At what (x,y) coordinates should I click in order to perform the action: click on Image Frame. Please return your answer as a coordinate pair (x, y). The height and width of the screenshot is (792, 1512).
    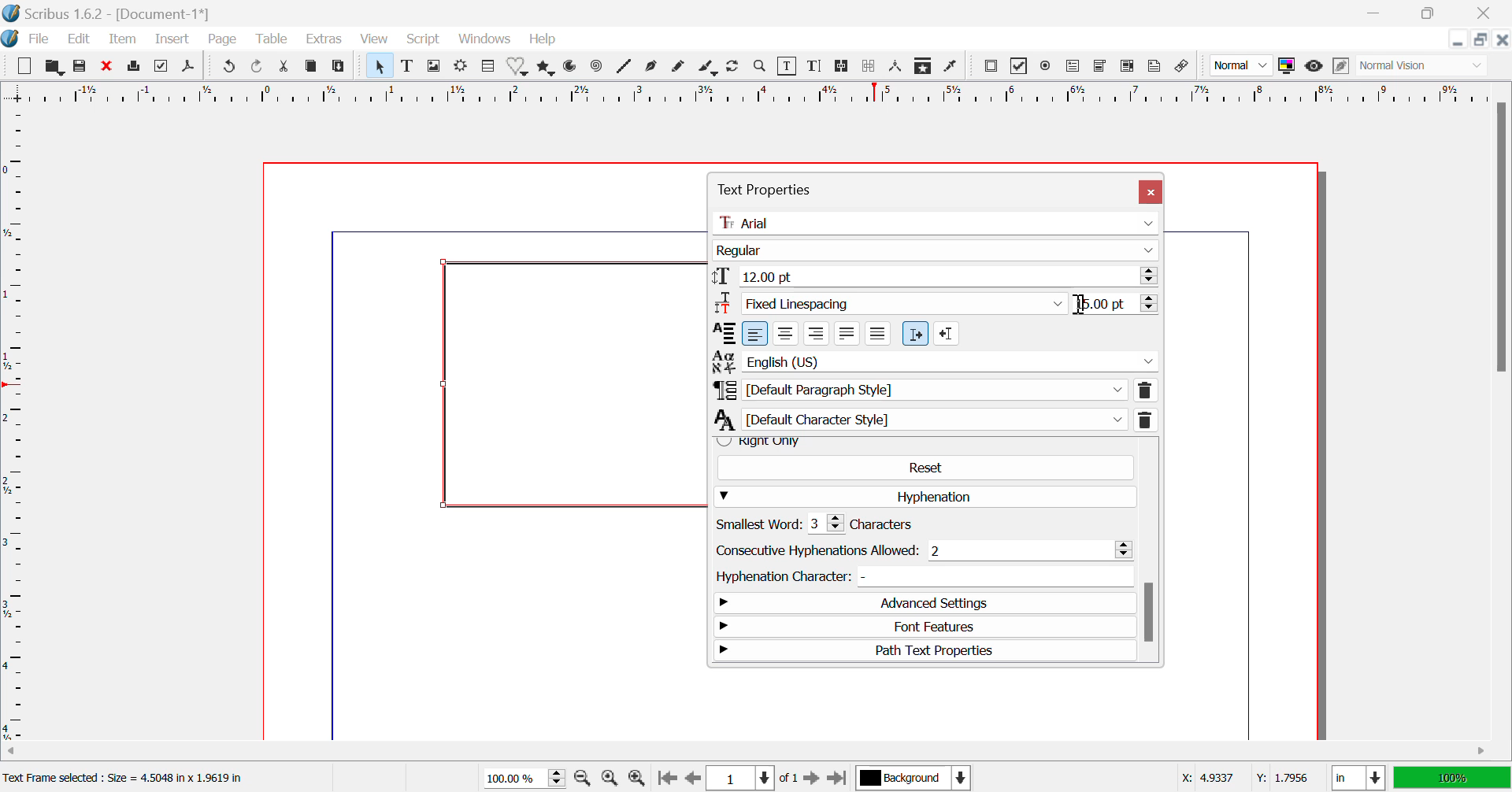
    Looking at the image, I should click on (435, 66).